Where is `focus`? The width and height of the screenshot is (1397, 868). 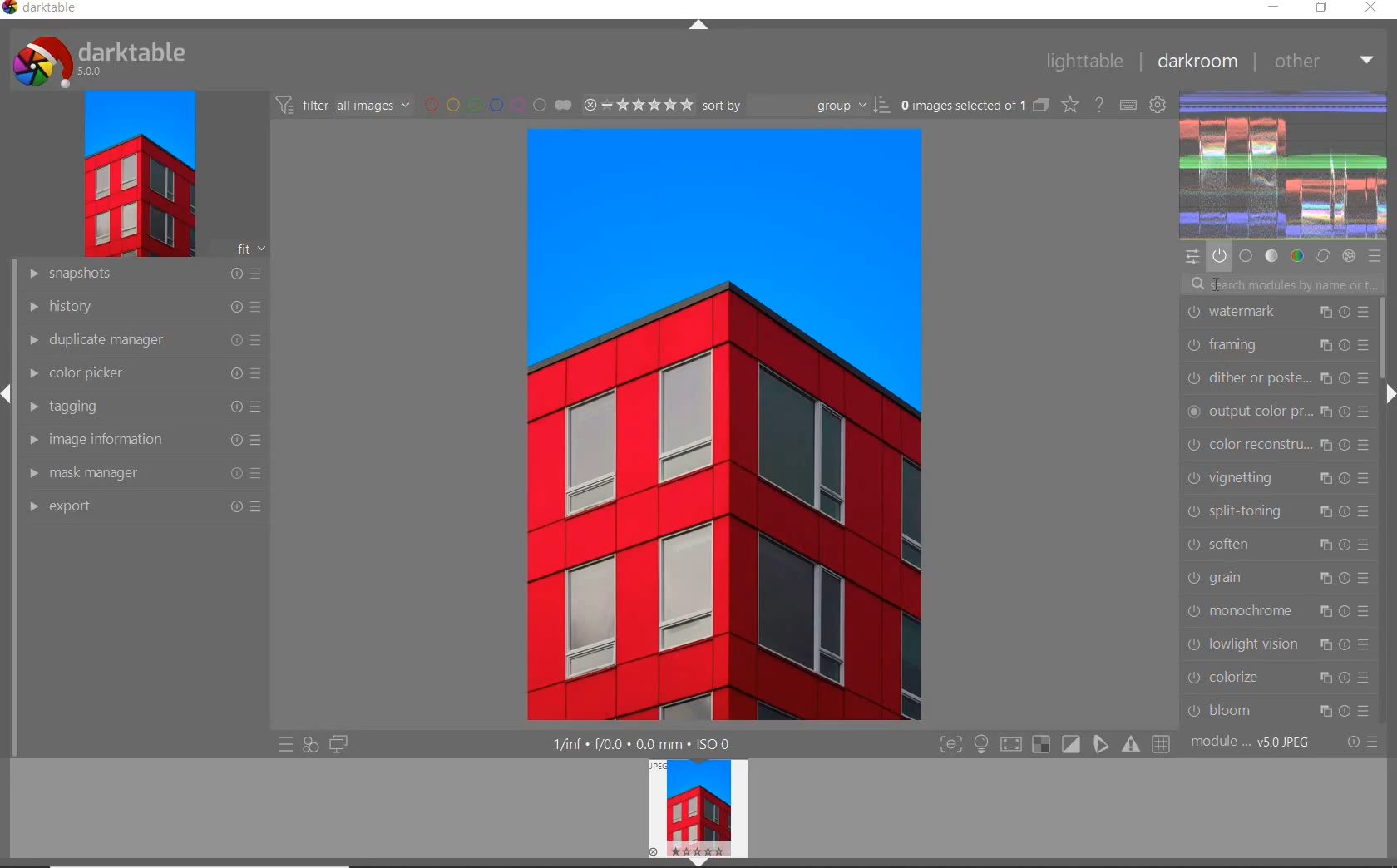 focus is located at coordinates (950, 745).